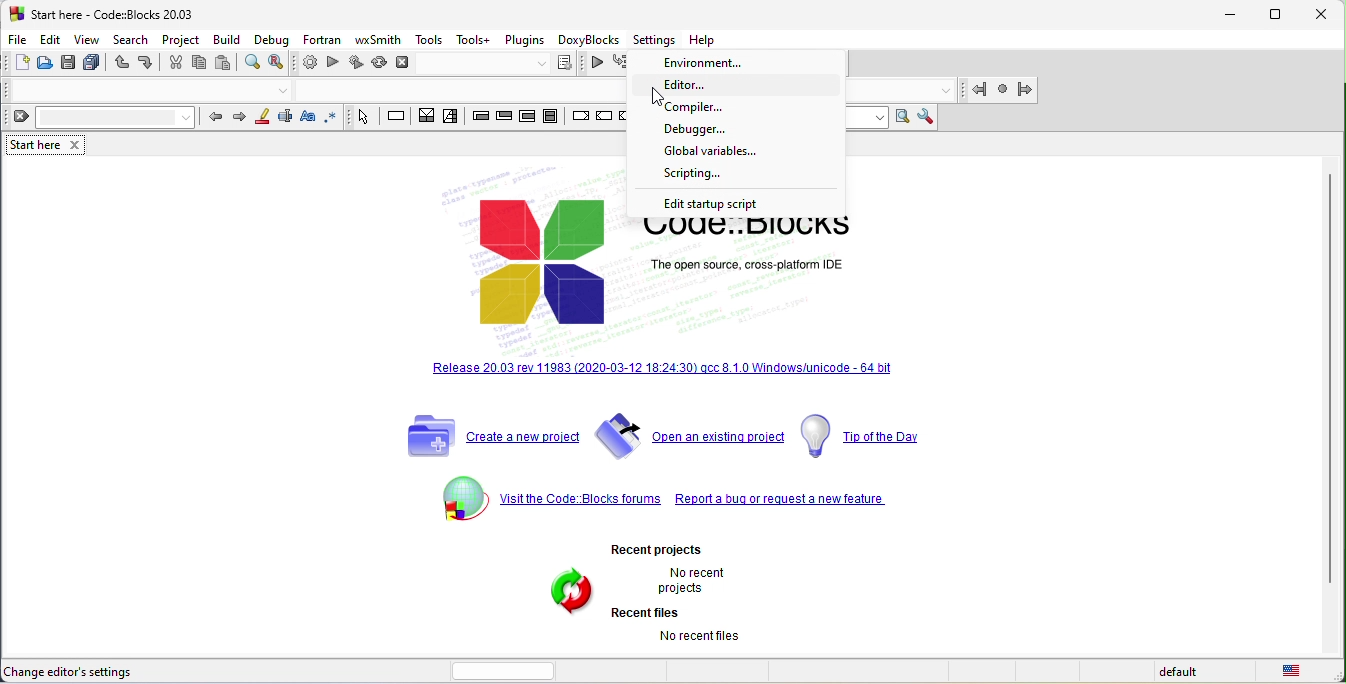 Image resolution: width=1346 pixels, height=684 pixels. I want to click on jump forward, so click(1026, 90).